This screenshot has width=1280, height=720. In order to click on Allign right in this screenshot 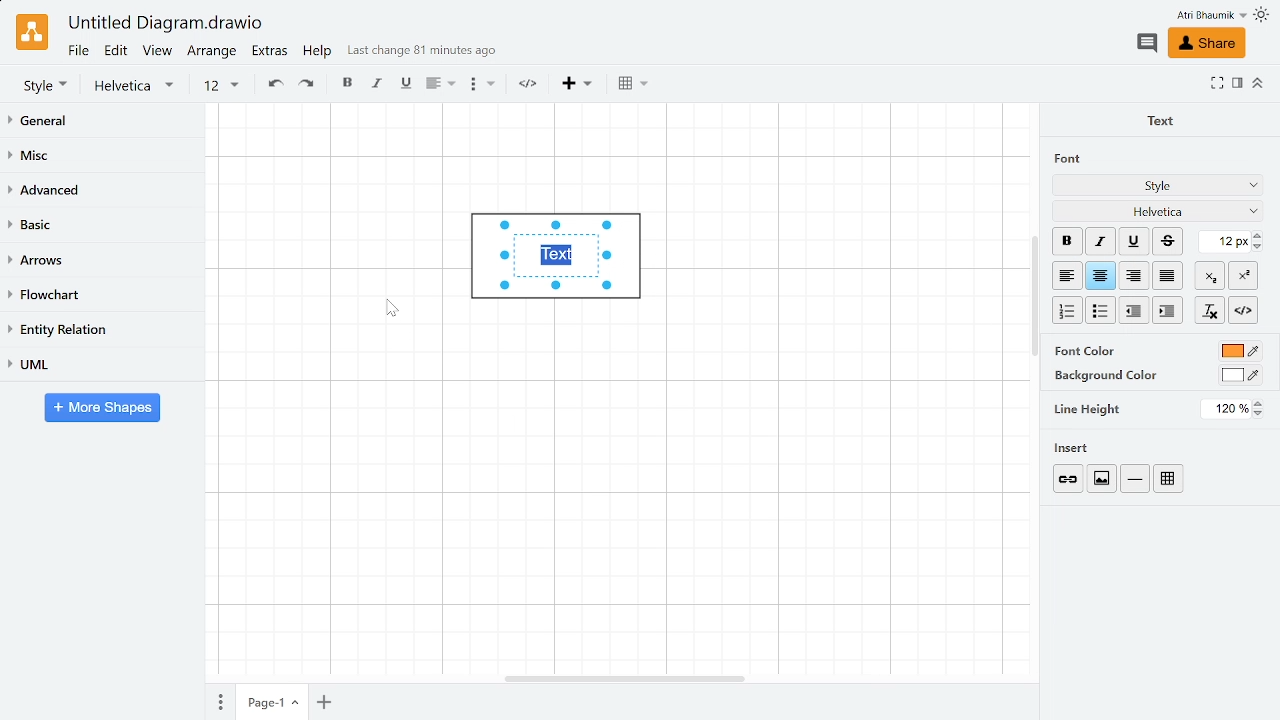, I will do `click(1135, 275)`.